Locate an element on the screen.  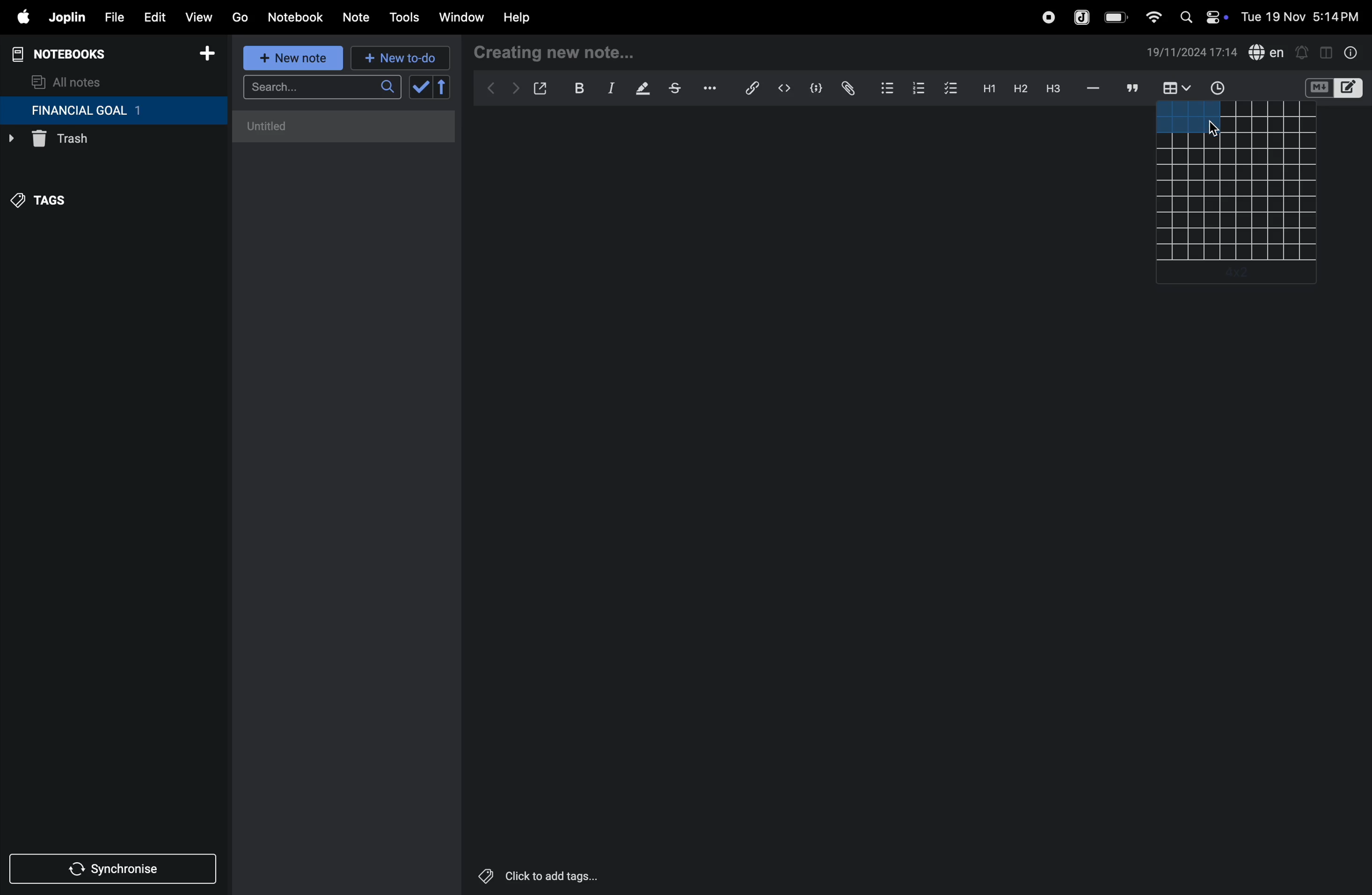
cursor is located at coordinates (1215, 130).